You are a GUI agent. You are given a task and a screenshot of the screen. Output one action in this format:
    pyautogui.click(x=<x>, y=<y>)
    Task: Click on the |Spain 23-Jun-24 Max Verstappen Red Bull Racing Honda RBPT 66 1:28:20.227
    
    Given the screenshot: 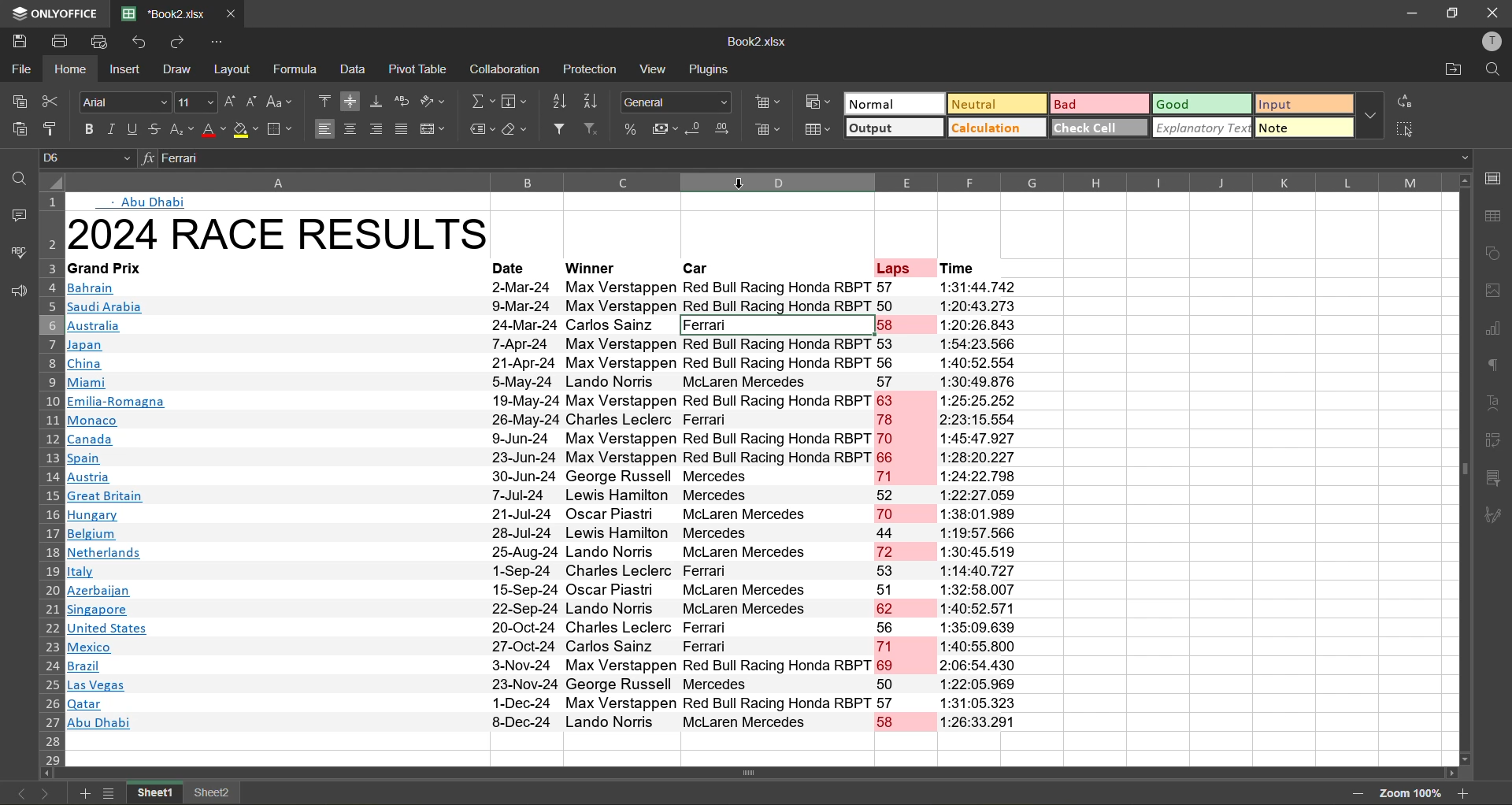 What is the action you would take?
    pyautogui.click(x=543, y=458)
    